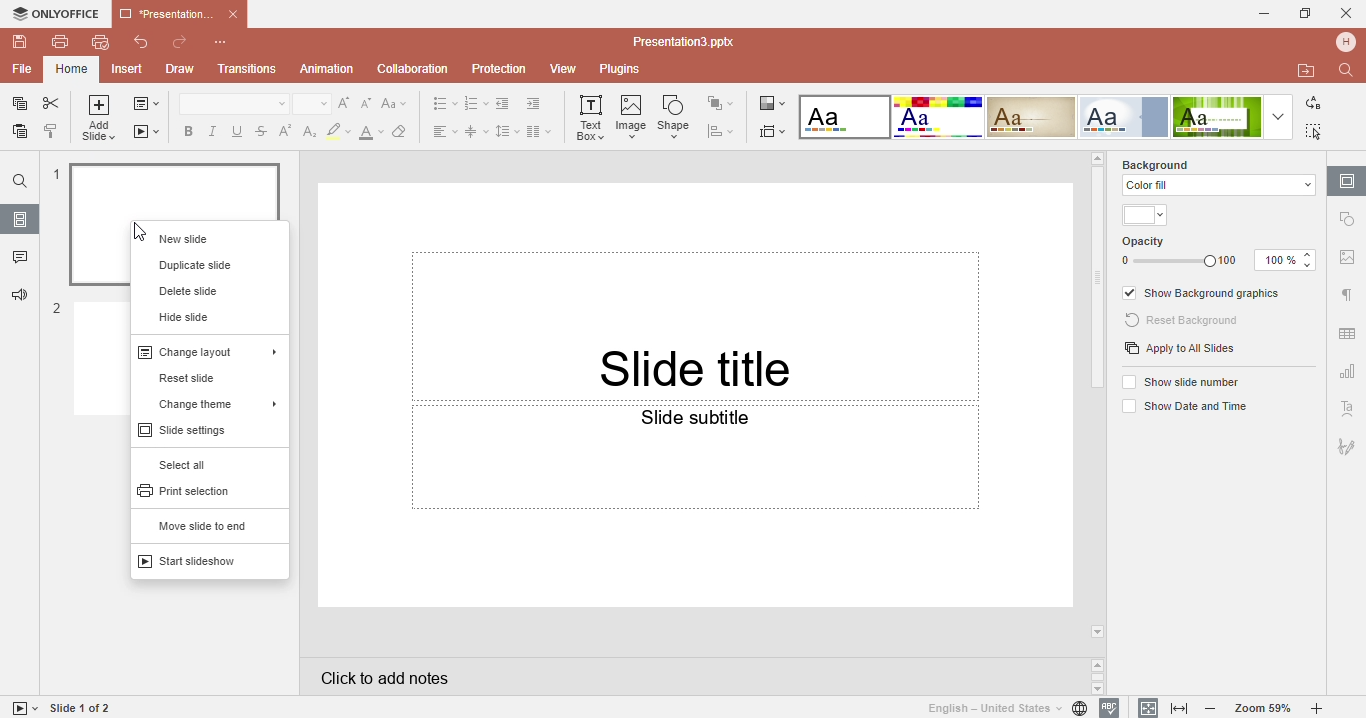  What do you see at coordinates (16, 104) in the screenshot?
I see `Copy` at bounding box center [16, 104].